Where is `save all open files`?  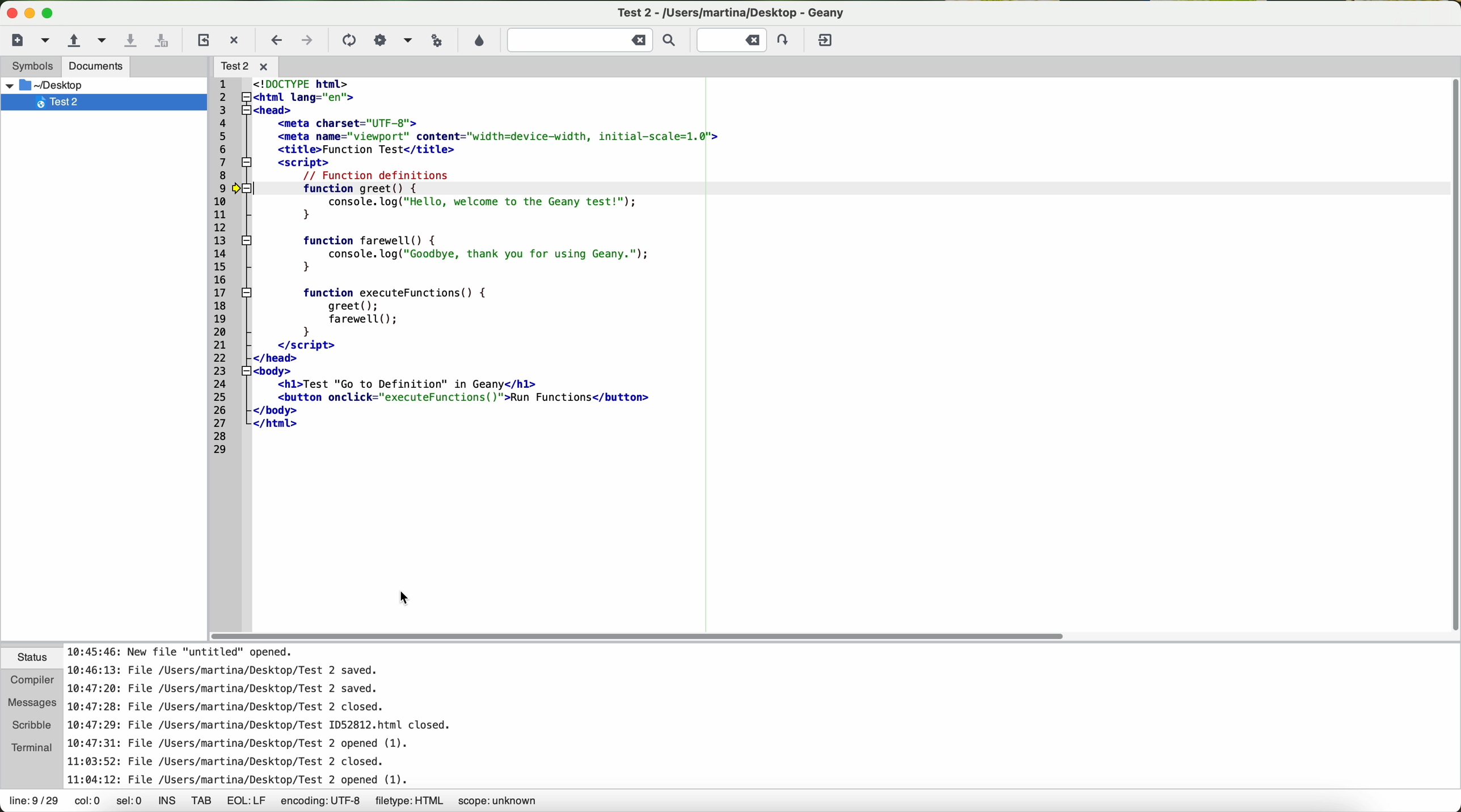
save all open files is located at coordinates (162, 43).